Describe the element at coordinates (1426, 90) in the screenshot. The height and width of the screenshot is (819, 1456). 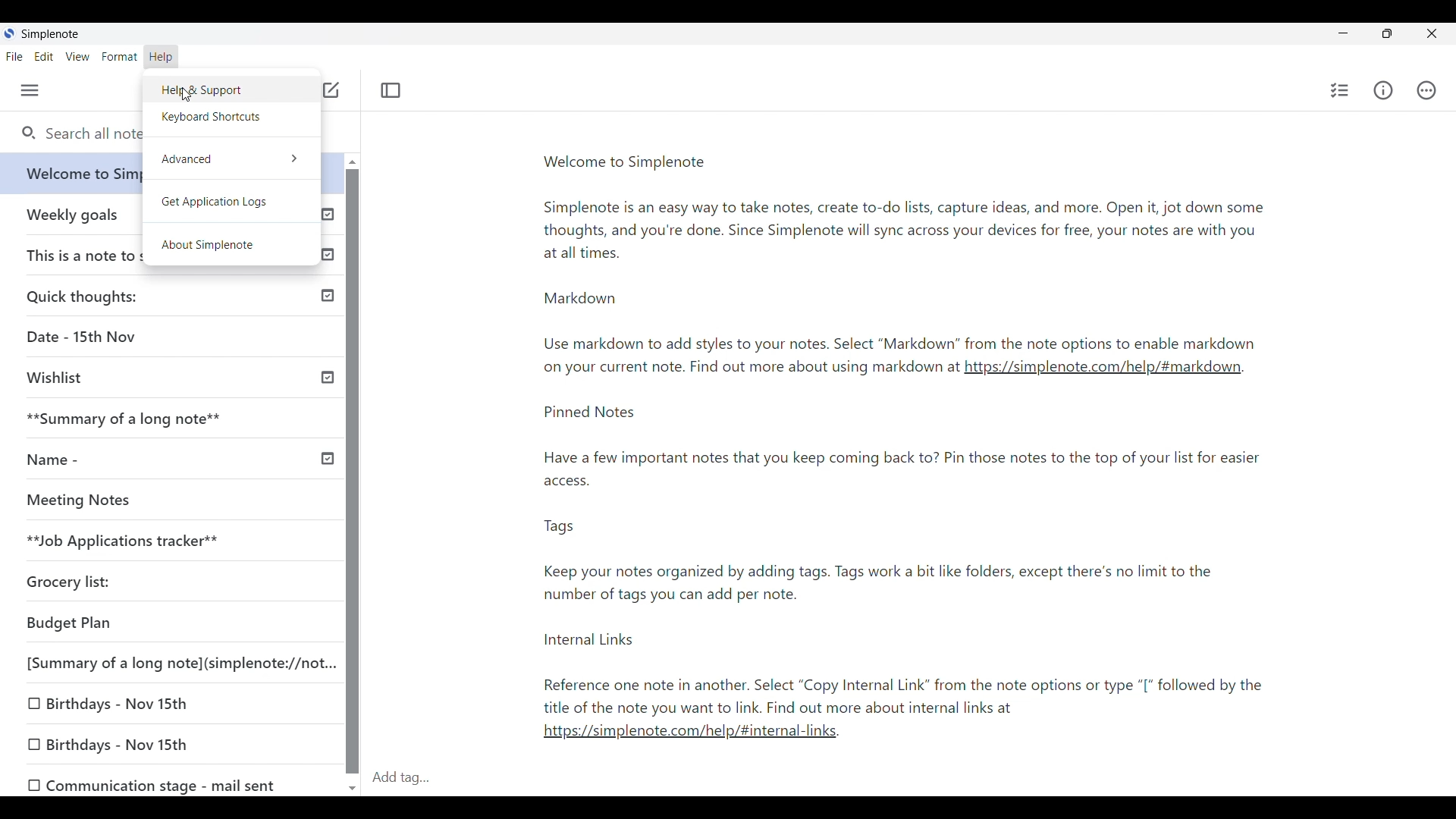
I see `Actions` at that location.